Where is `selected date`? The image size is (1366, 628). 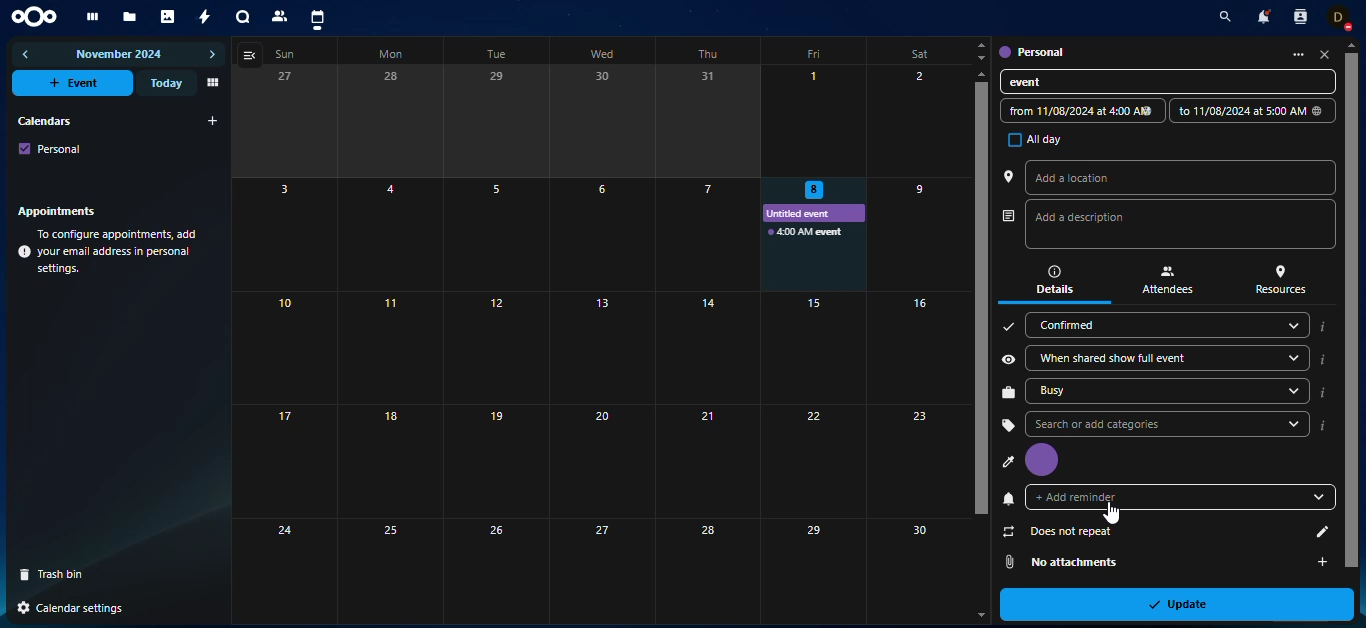 selected date is located at coordinates (808, 188).